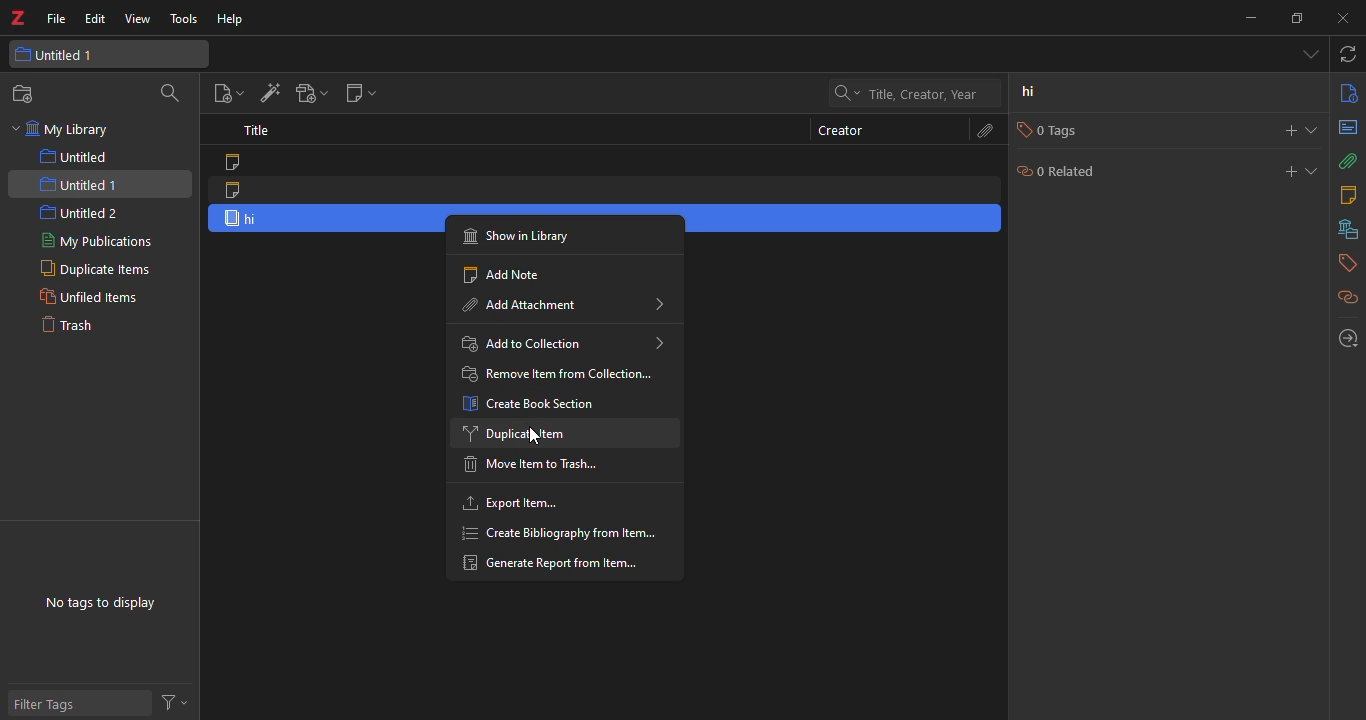  Describe the element at coordinates (517, 433) in the screenshot. I see `duplicate item` at that location.